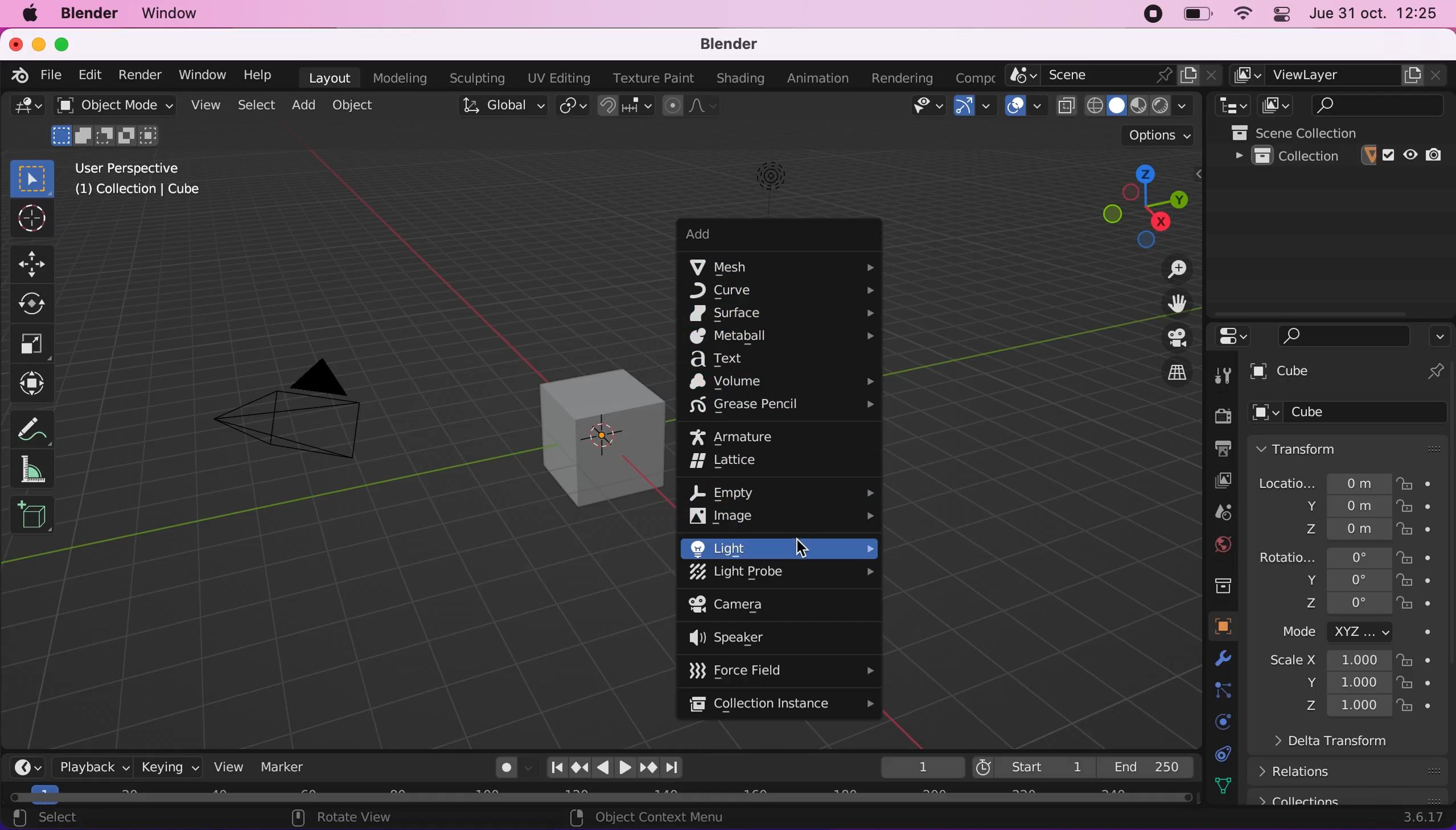 The height and width of the screenshot is (830, 1456). What do you see at coordinates (15, 45) in the screenshot?
I see `close` at bounding box center [15, 45].